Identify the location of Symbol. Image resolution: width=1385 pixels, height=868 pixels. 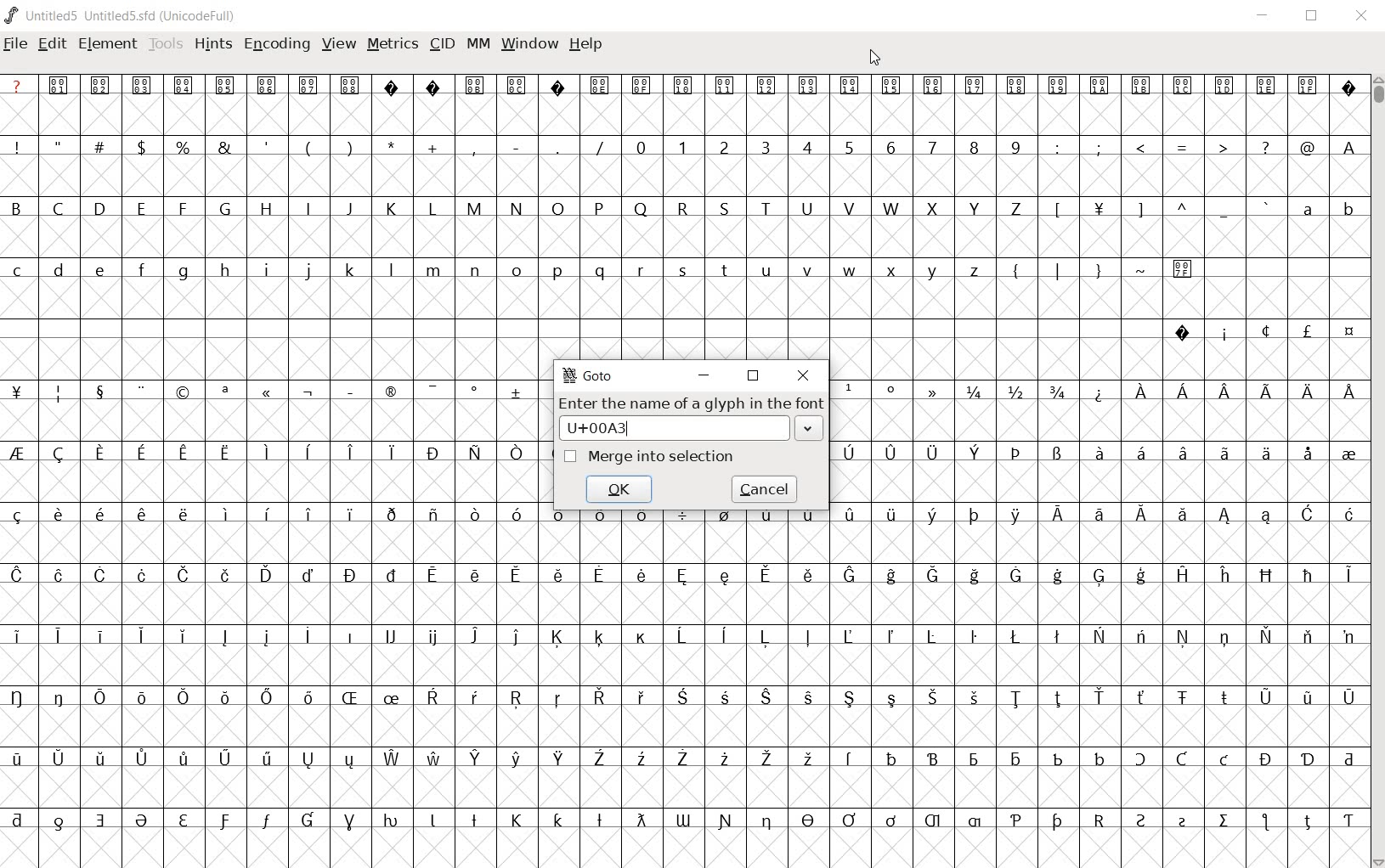
(1143, 760).